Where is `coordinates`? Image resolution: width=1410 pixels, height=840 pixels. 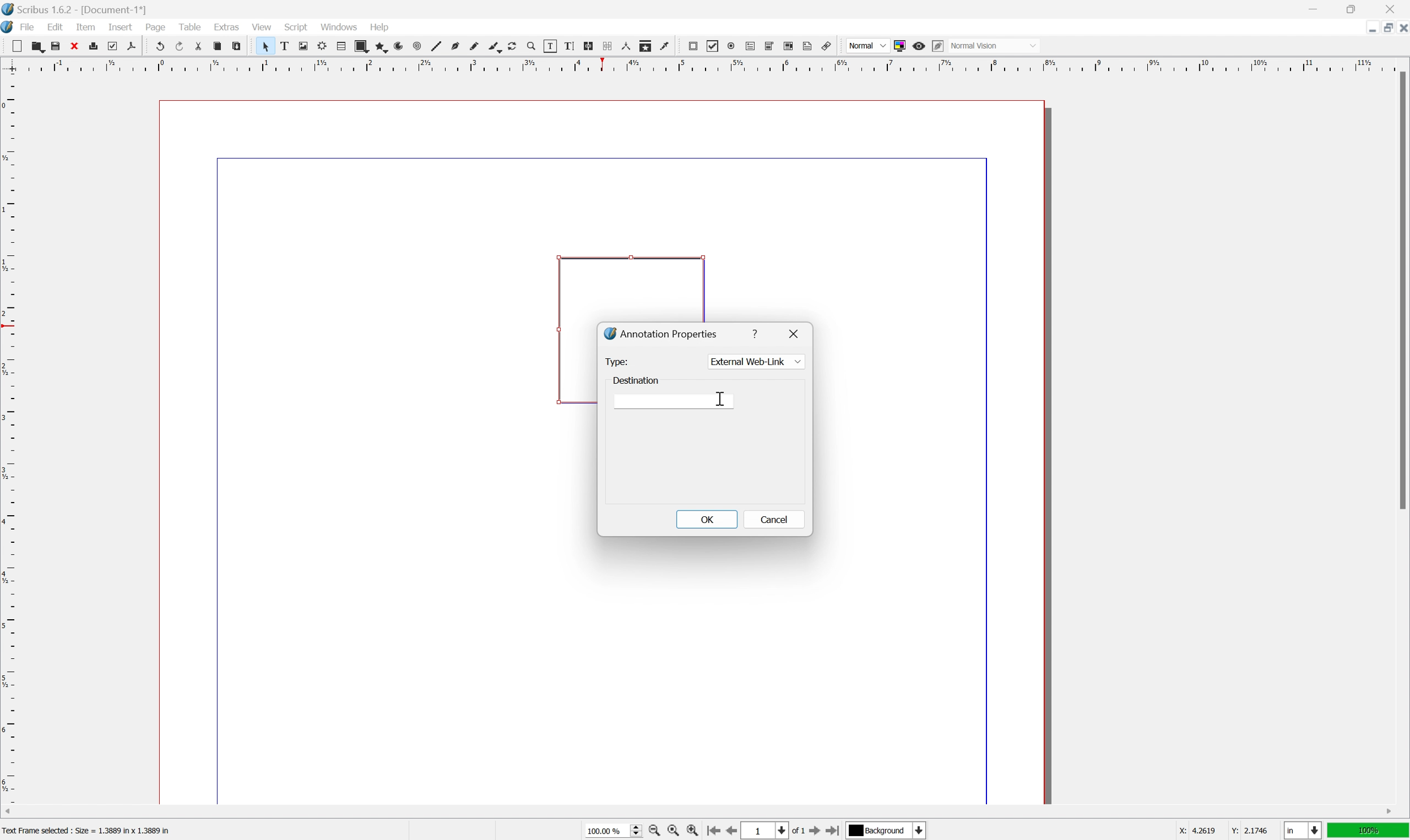
coordinates is located at coordinates (1225, 831).